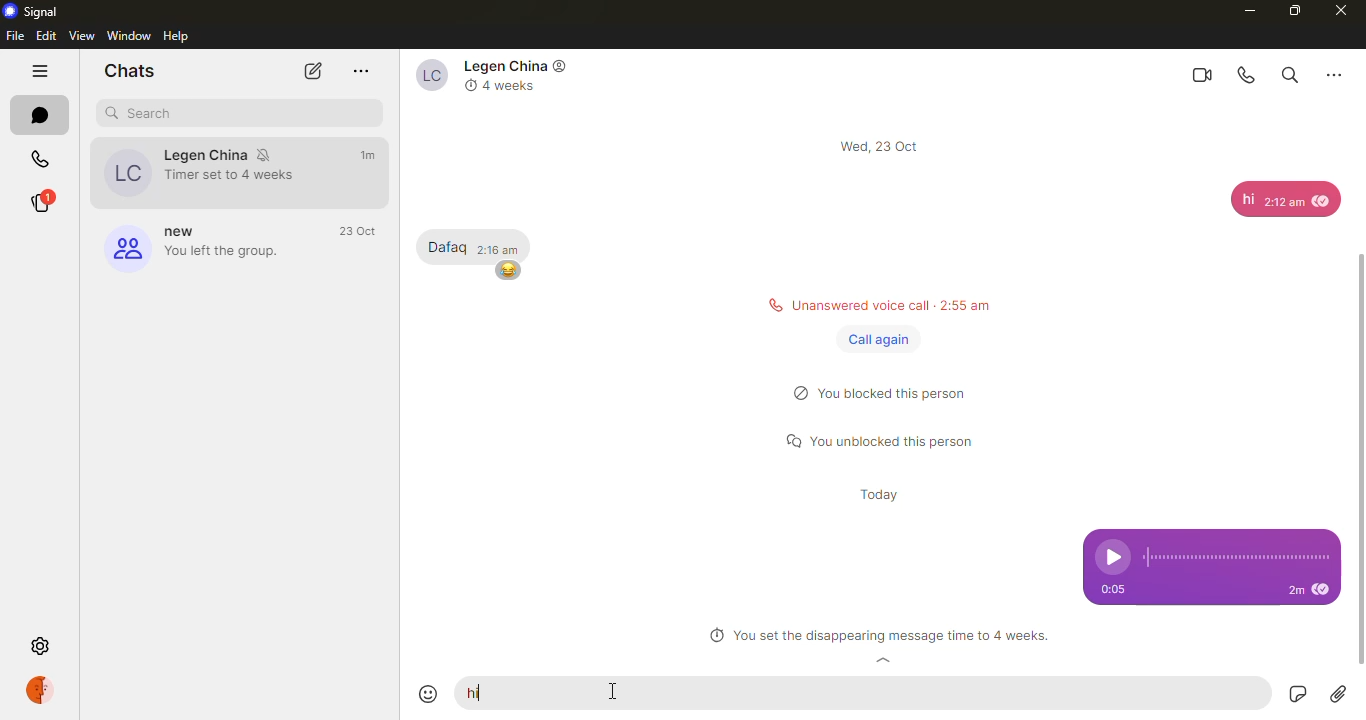 The width and height of the screenshot is (1366, 720). Describe the element at coordinates (1342, 11) in the screenshot. I see `close` at that location.